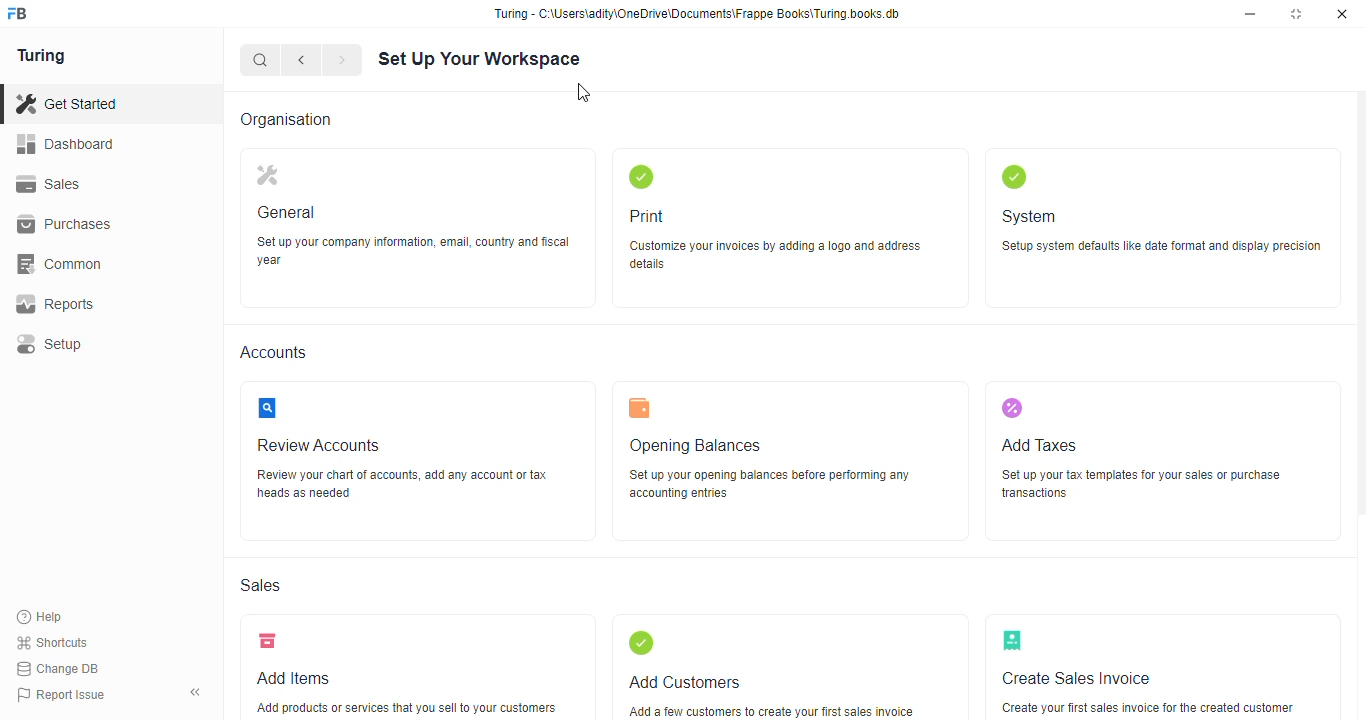 The image size is (1366, 720). Describe the element at coordinates (197, 692) in the screenshot. I see `collapse` at that location.